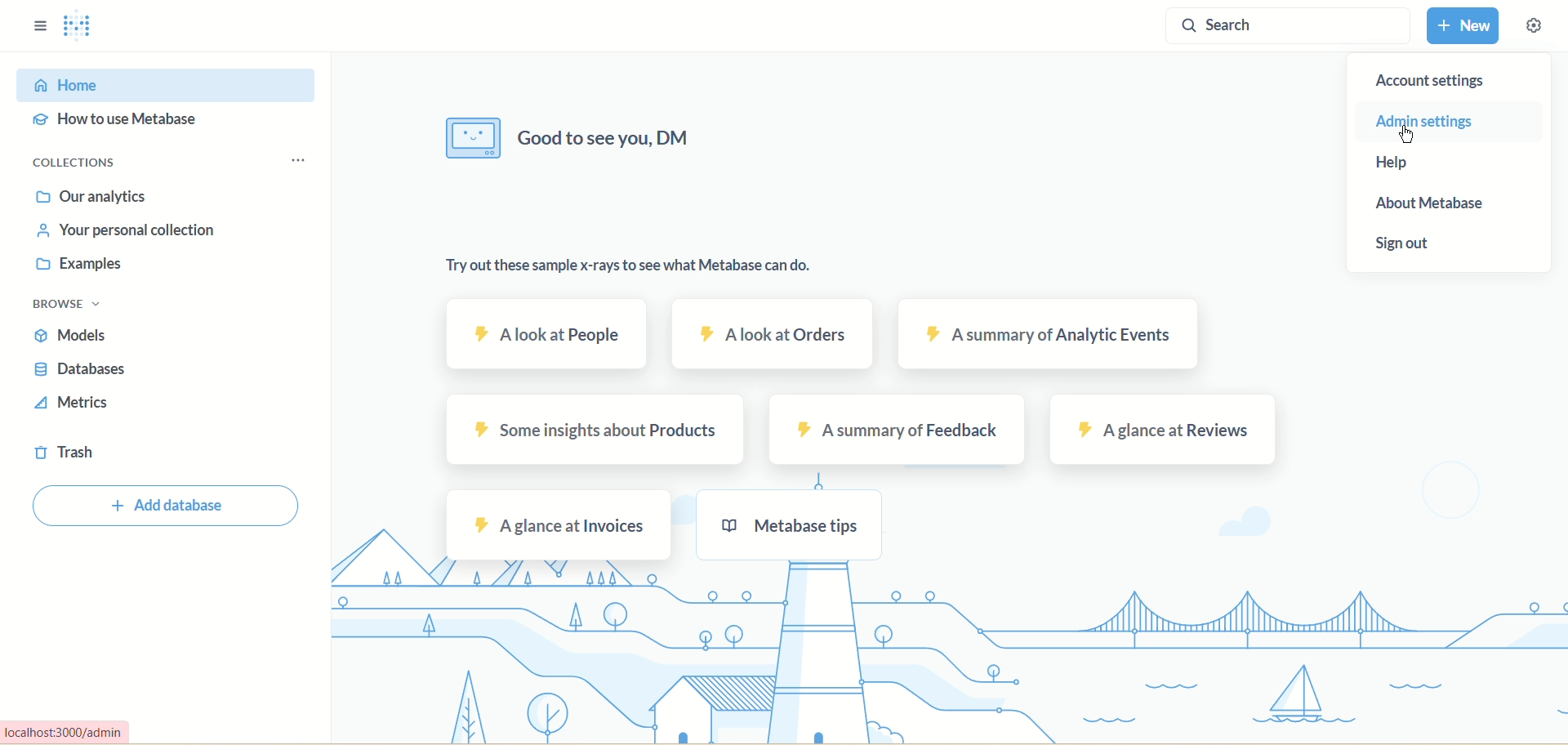 This screenshot has height=745, width=1568. What do you see at coordinates (1428, 124) in the screenshot?
I see `admin settings` at bounding box center [1428, 124].